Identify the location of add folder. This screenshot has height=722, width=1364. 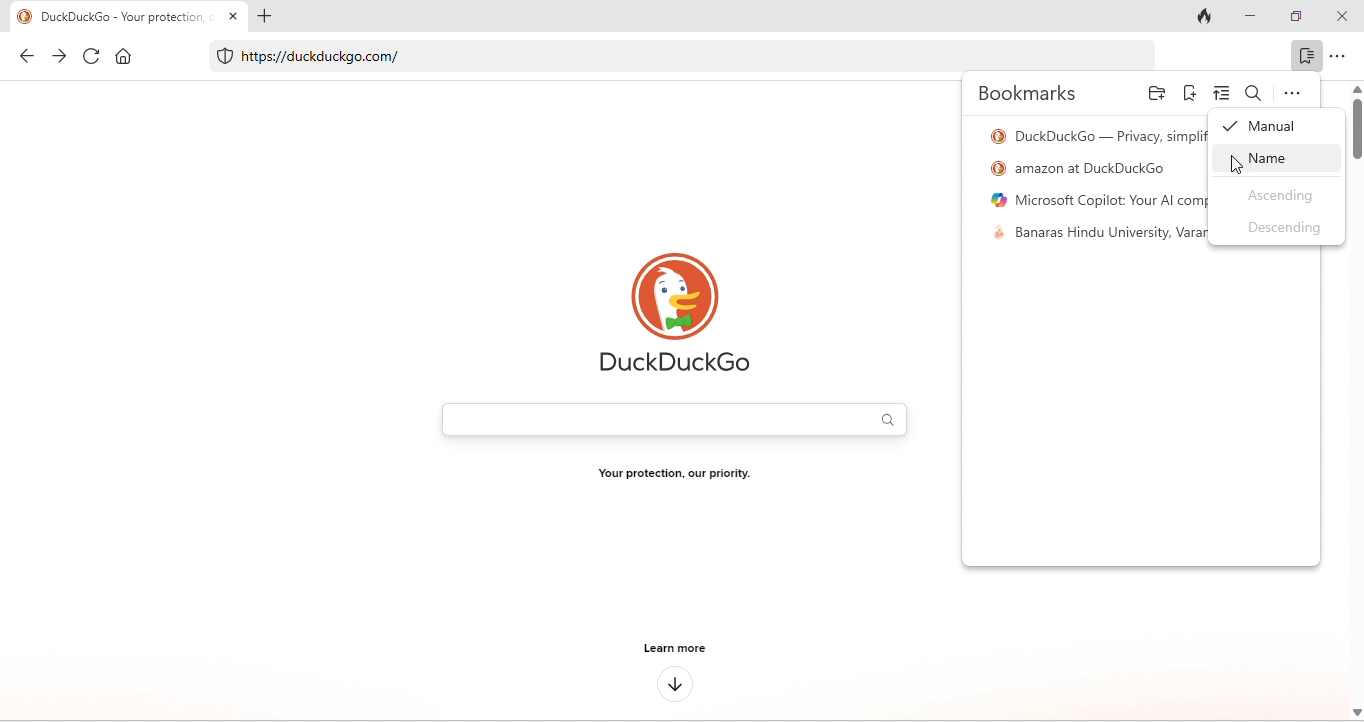
(1156, 95).